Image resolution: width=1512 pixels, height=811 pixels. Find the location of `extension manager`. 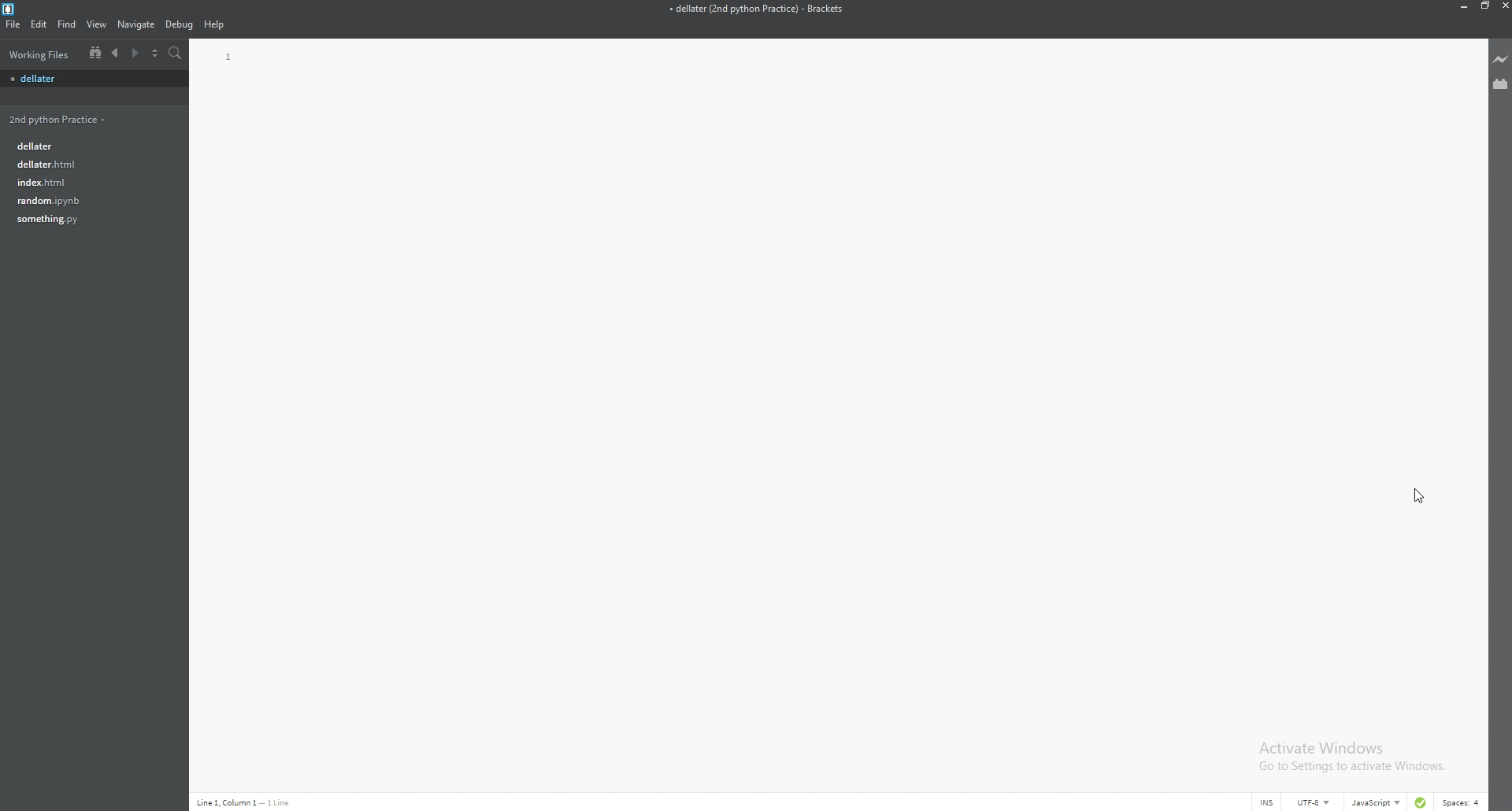

extension manager is located at coordinates (1499, 83).